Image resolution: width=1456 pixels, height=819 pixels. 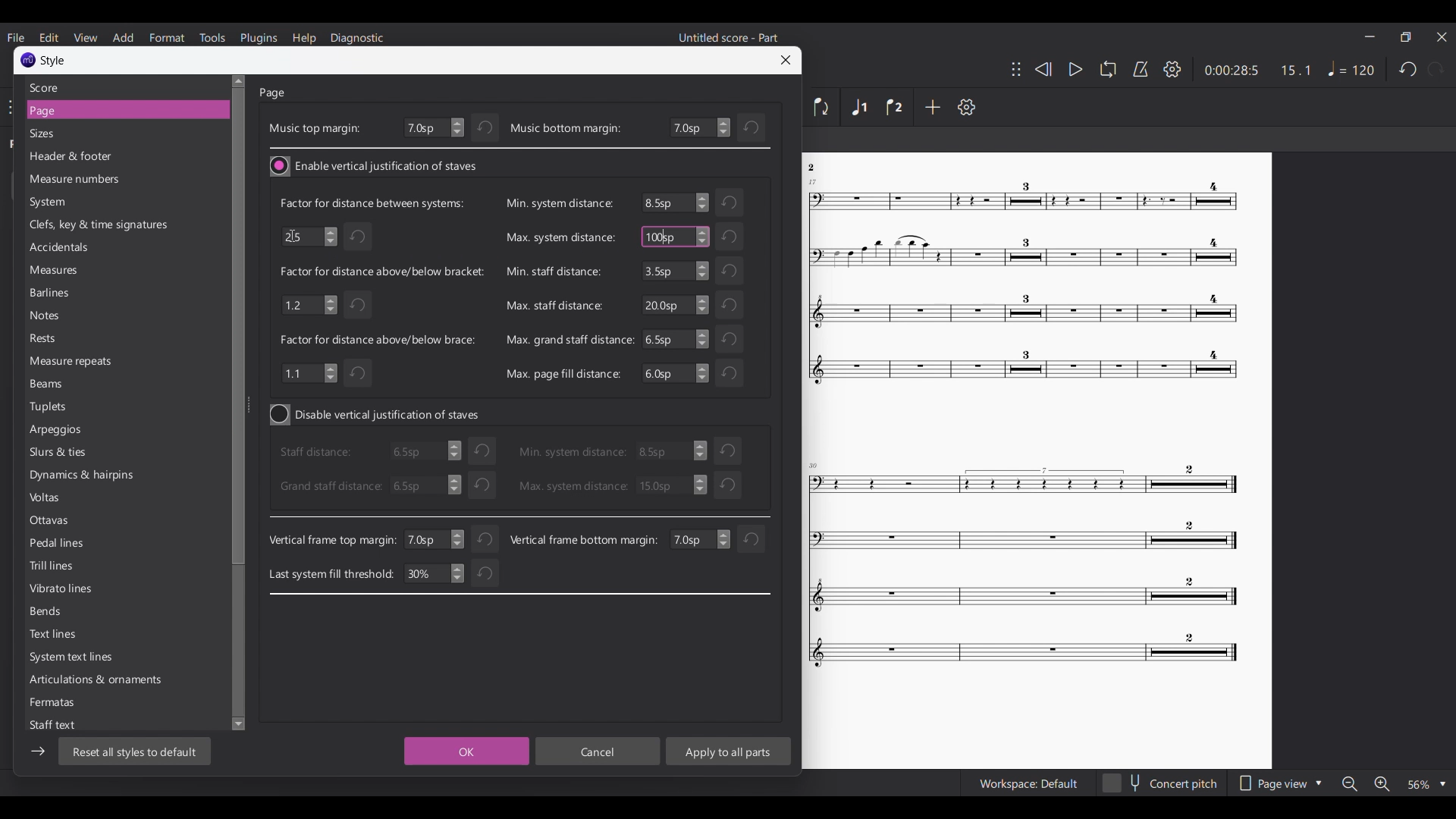 What do you see at coordinates (80, 613) in the screenshot?
I see `Bends` at bounding box center [80, 613].